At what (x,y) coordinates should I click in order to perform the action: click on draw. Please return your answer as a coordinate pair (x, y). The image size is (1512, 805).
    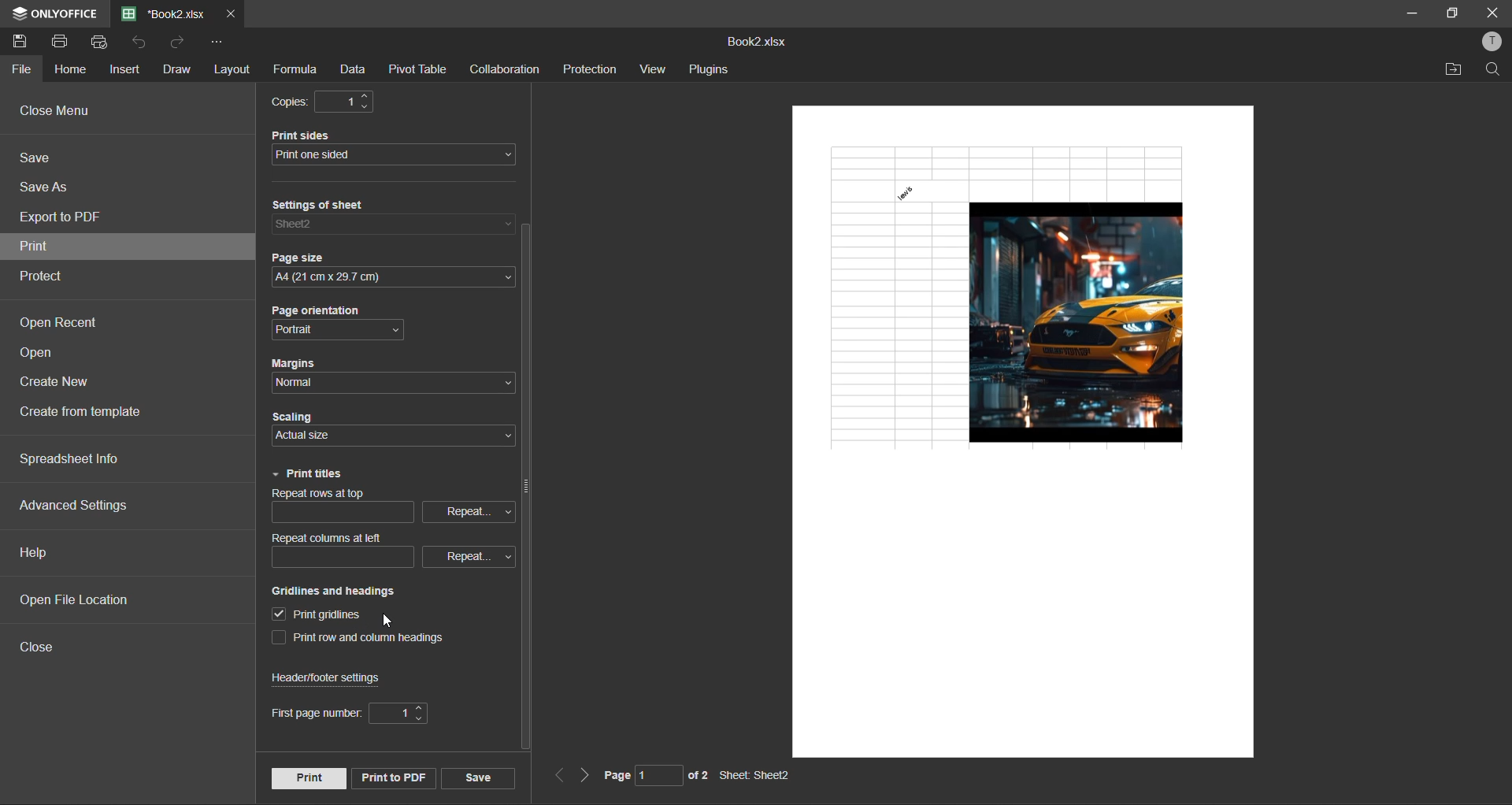
    Looking at the image, I should click on (174, 73).